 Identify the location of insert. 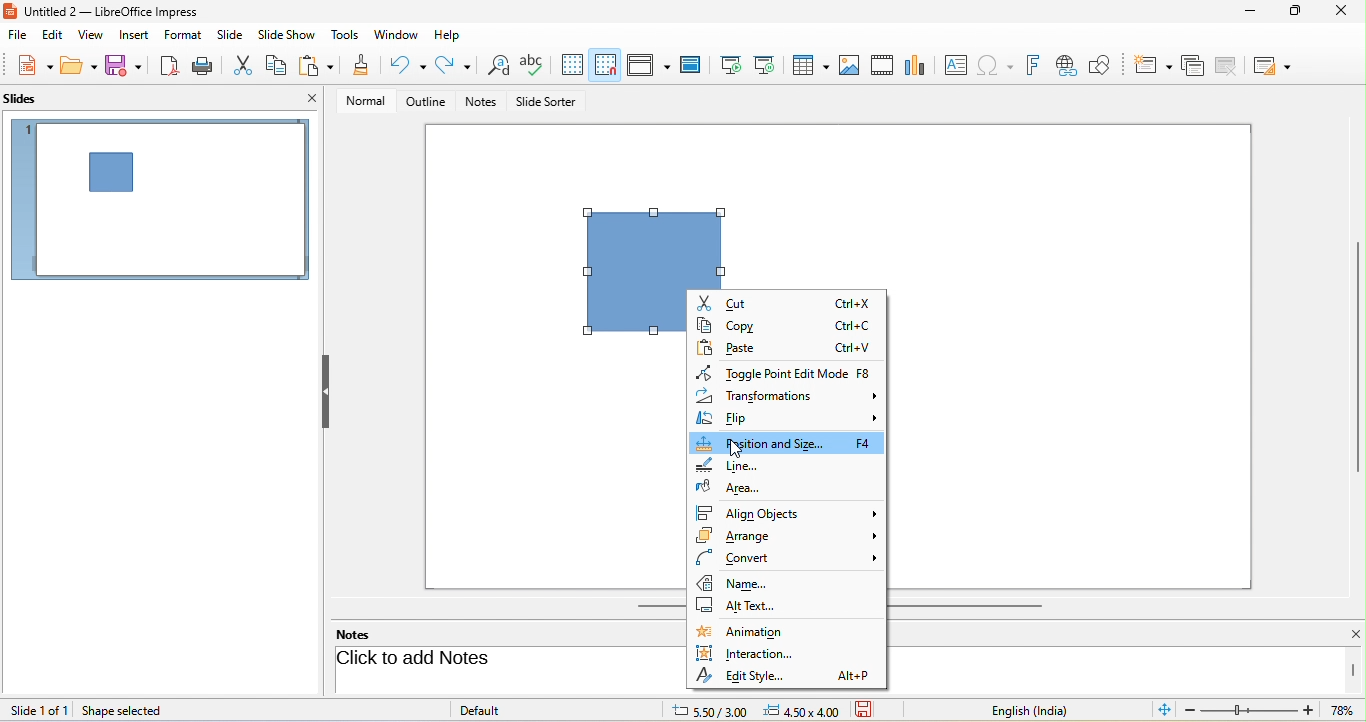
(132, 35).